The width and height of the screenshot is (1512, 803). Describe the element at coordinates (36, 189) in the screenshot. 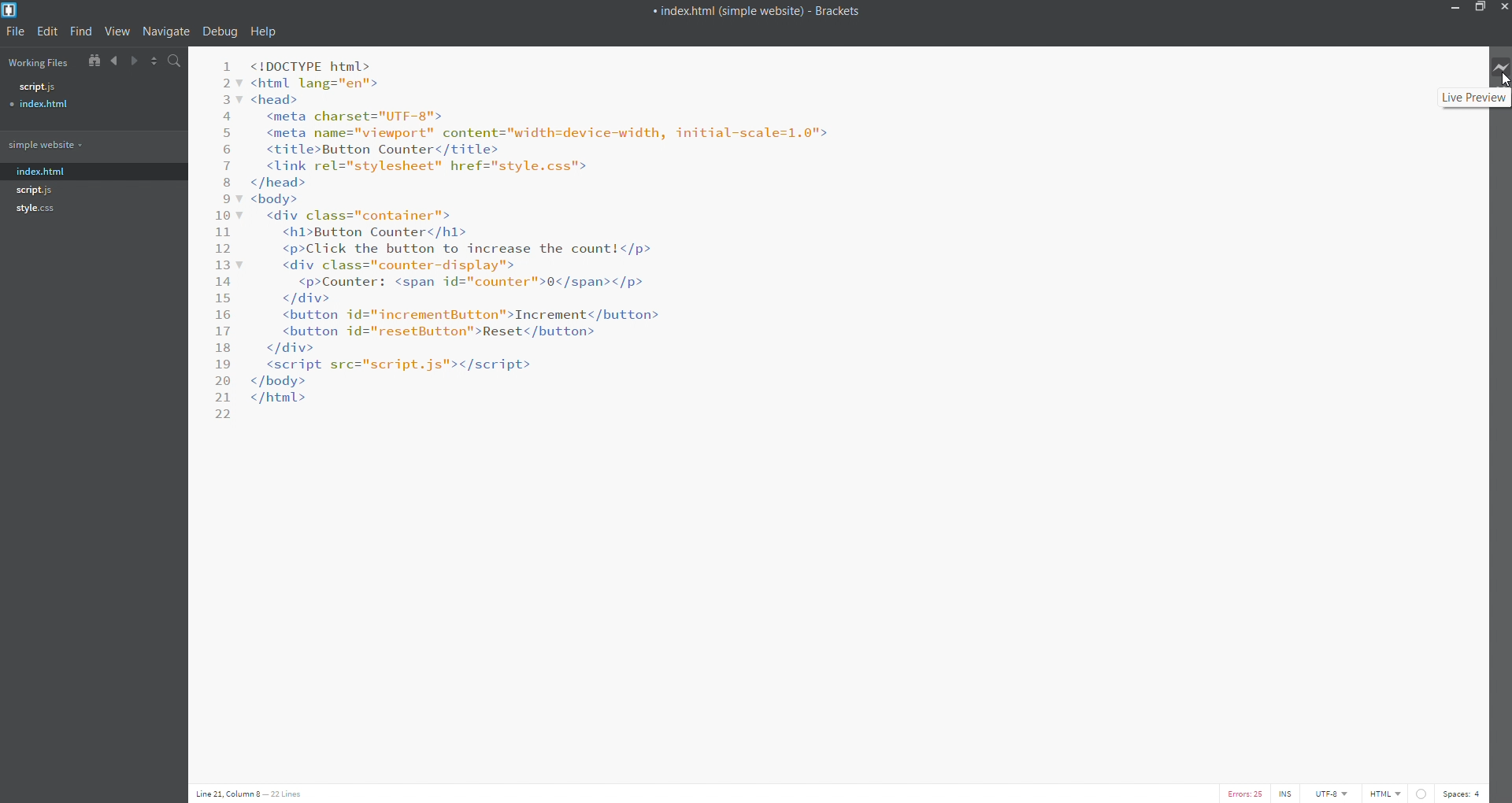

I see `script.js` at that location.